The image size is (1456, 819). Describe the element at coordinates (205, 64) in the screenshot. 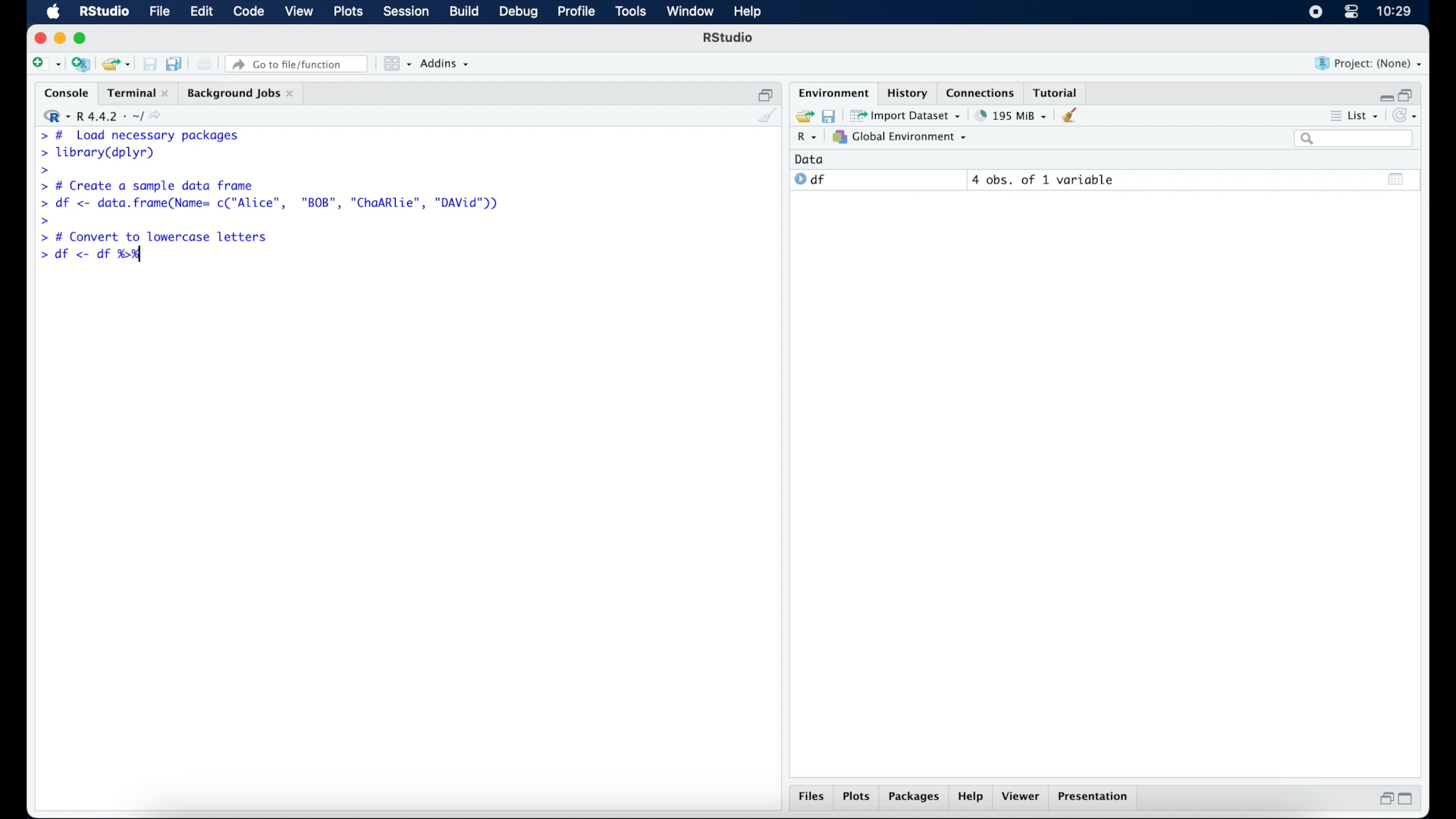

I see `print` at that location.